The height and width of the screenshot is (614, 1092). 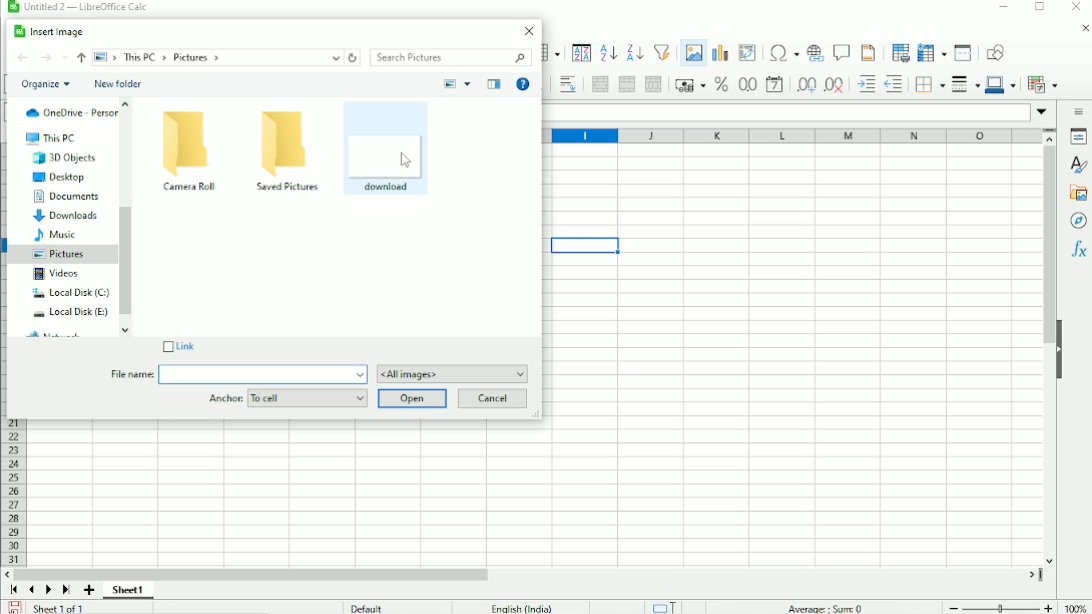 What do you see at coordinates (23, 58) in the screenshot?
I see `Back` at bounding box center [23, 58].